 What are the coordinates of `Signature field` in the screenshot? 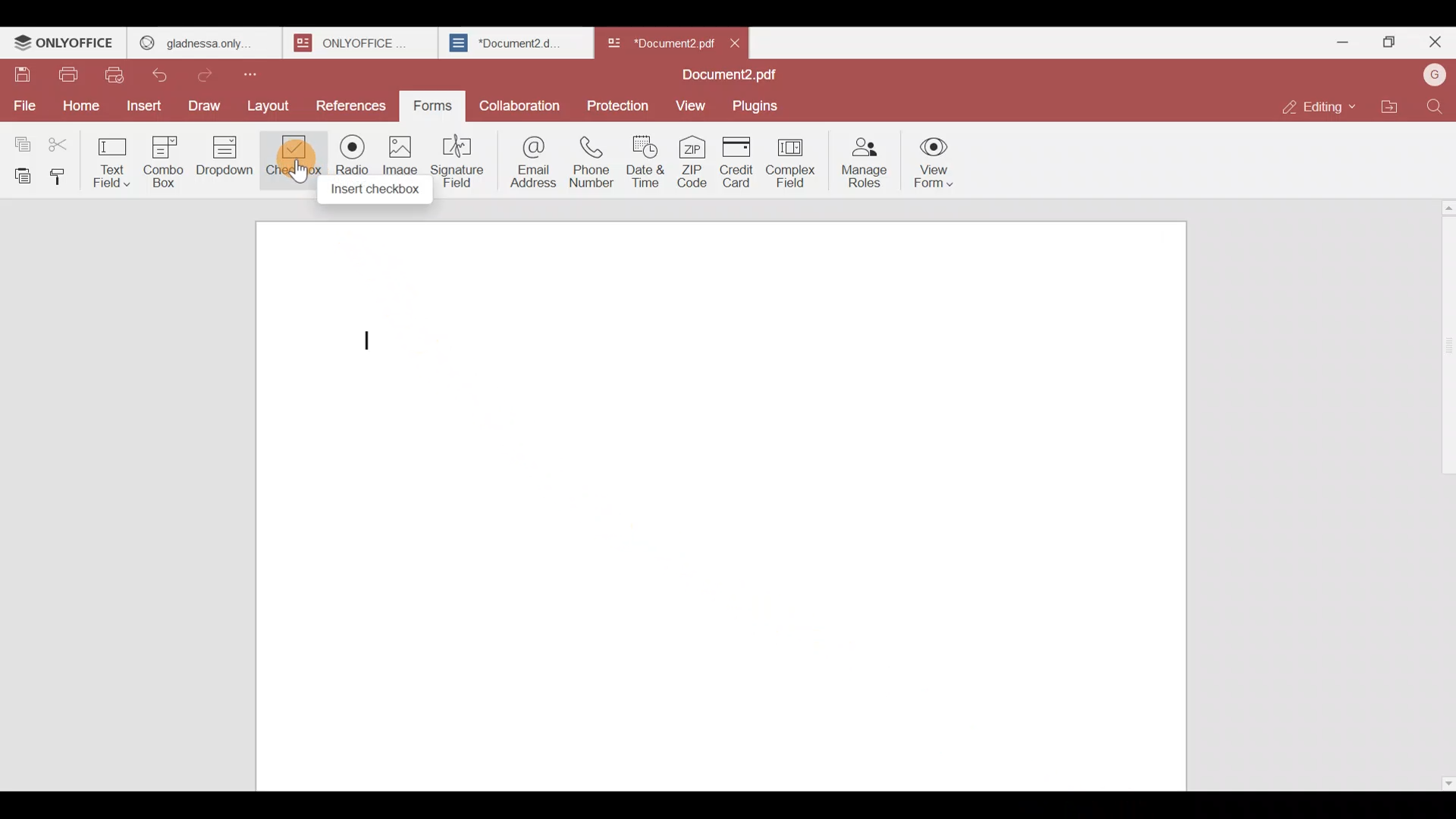 It's located at (462, 159).